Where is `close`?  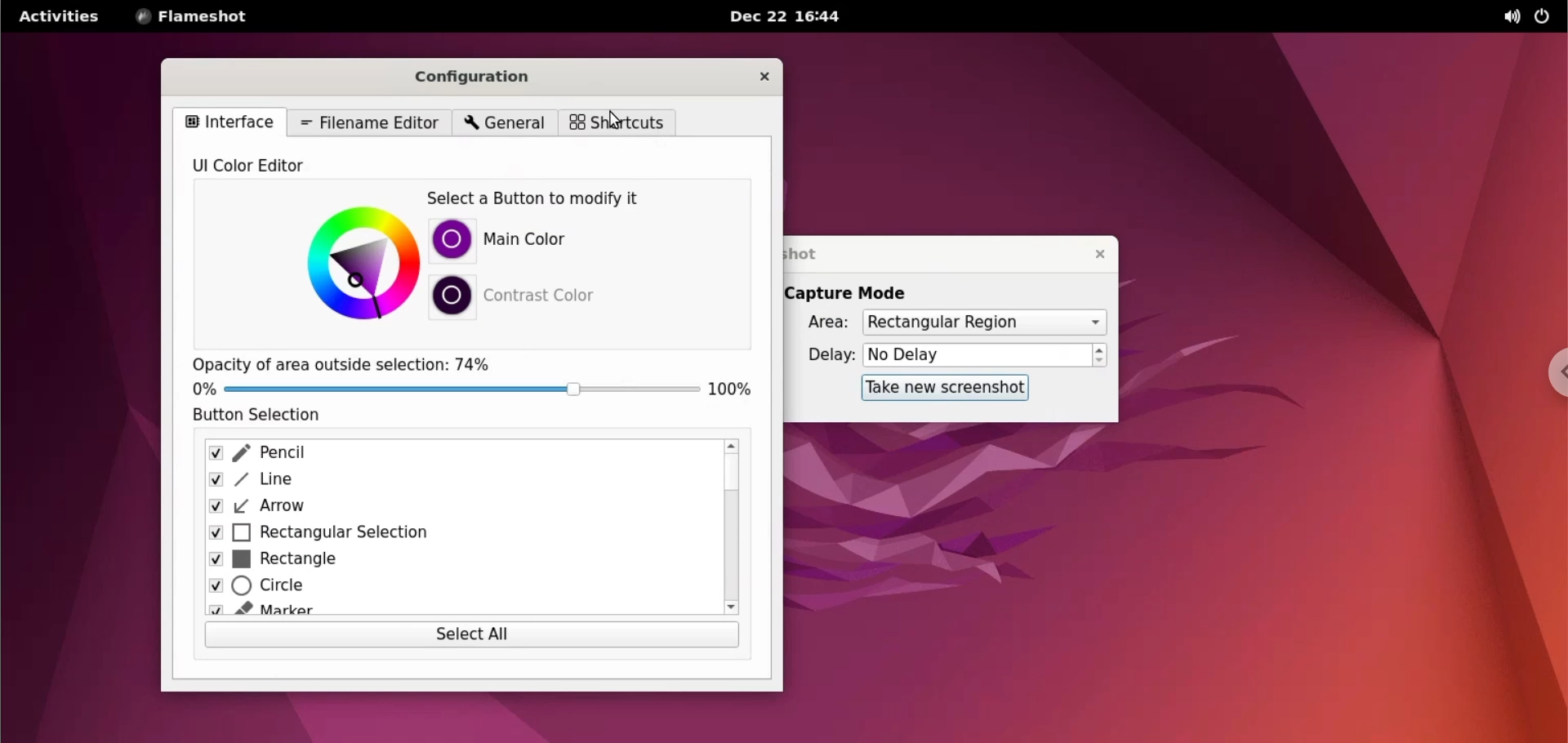 close is located at coordinates (763, 76).